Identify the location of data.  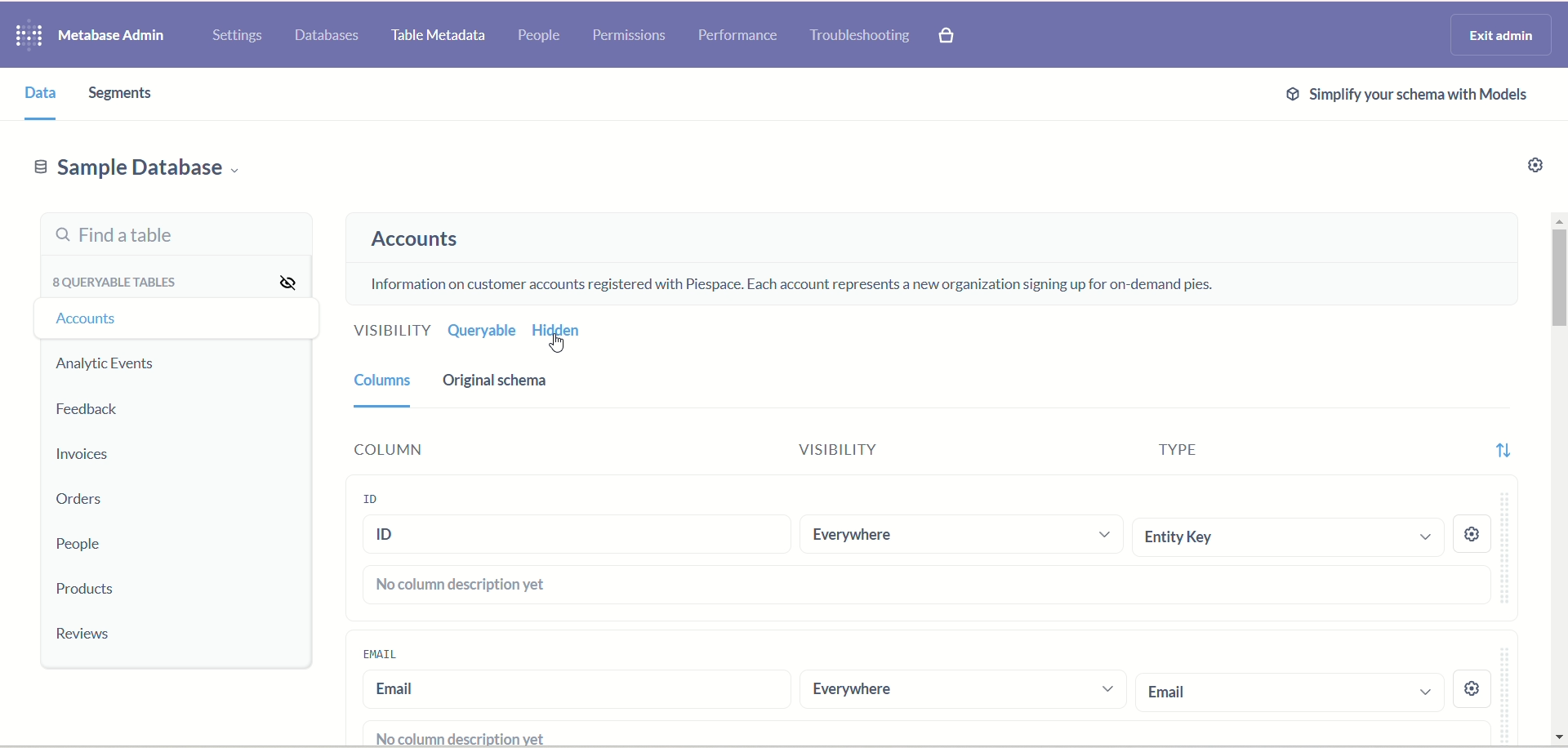
(42, 98).